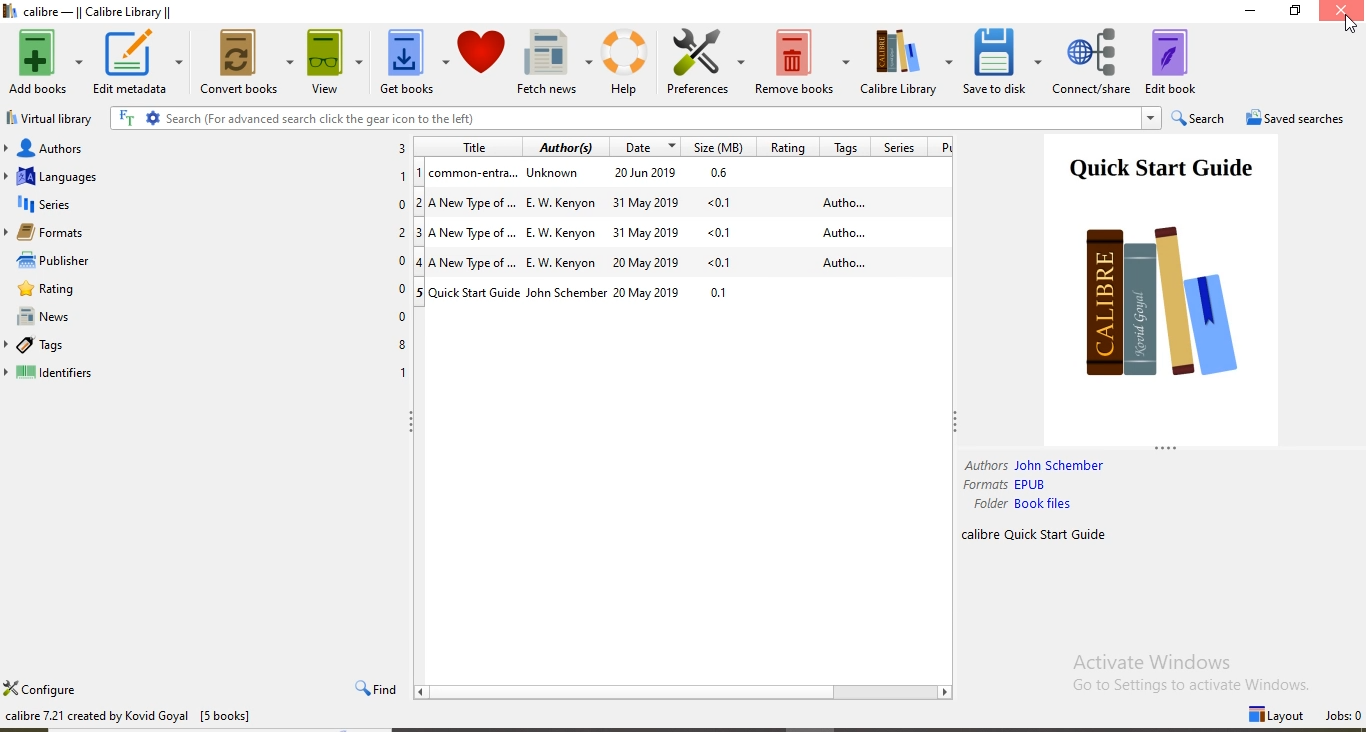 This screenshot has width=1366, height=732. I want to click on 31 May 2019, so click(647, 231).